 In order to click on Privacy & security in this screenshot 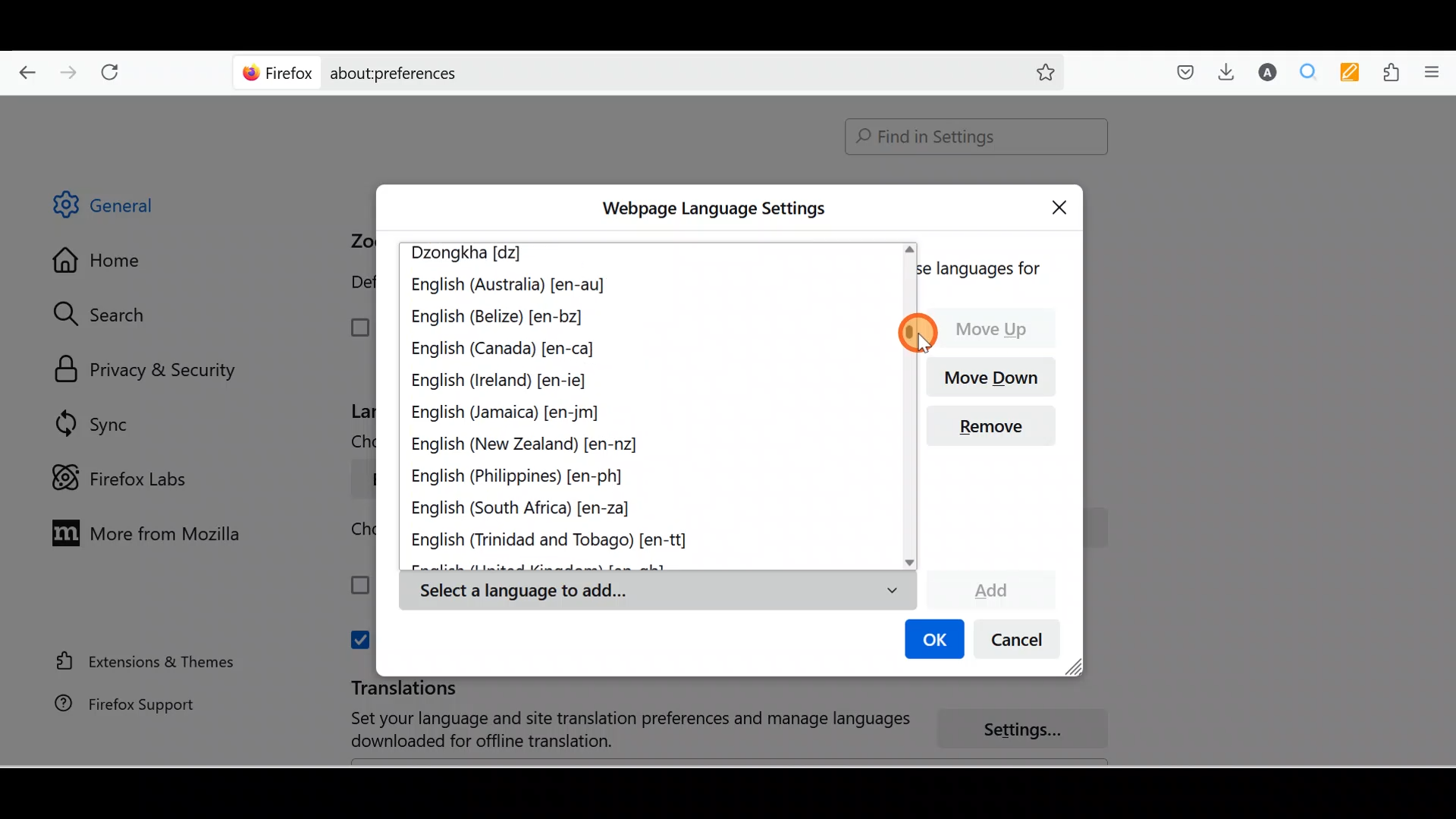, I will do `click(152, 371)`.